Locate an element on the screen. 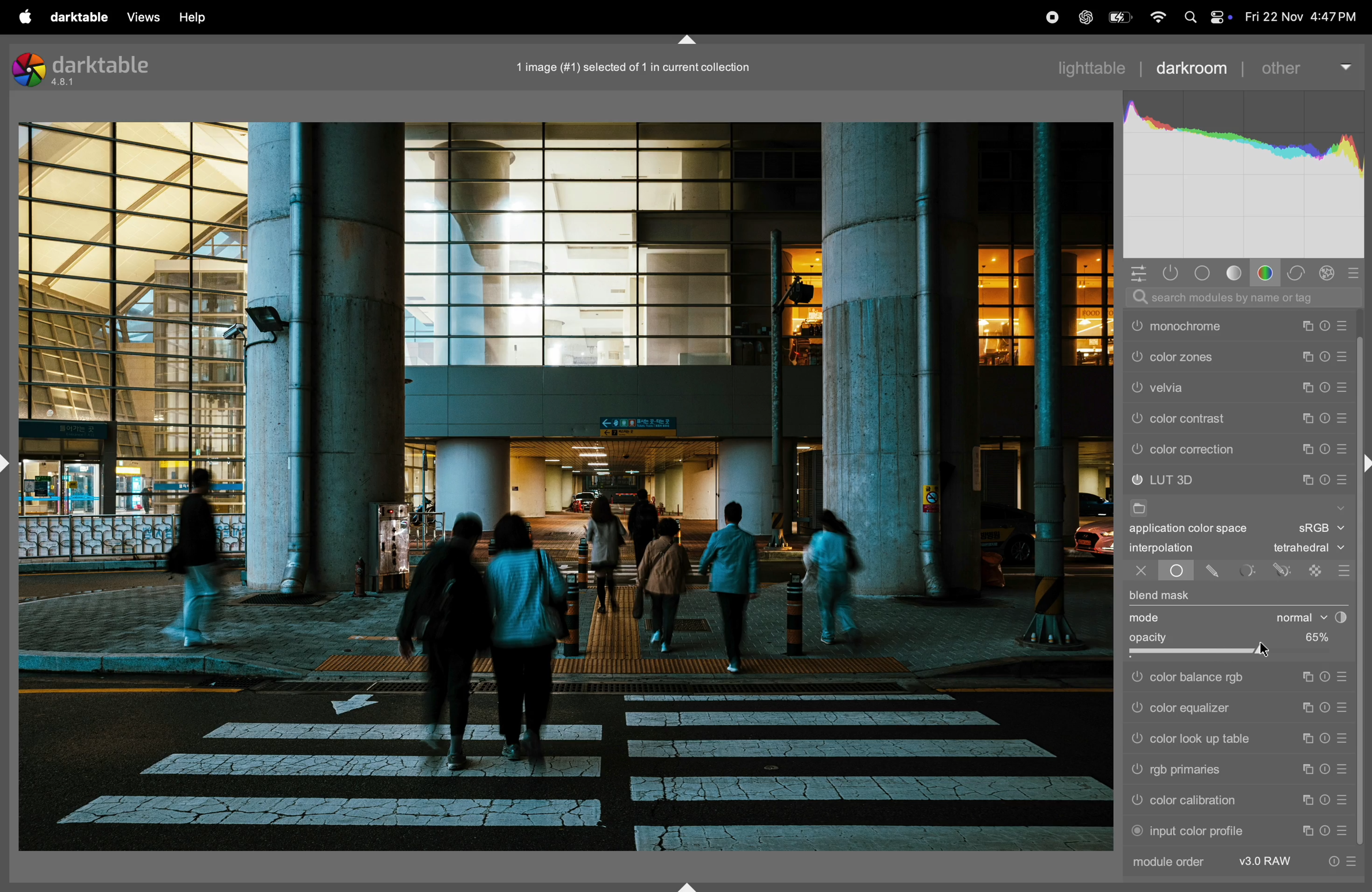 This screenshot has height=892, width=1372. color balance rgb is located at coordinates (1211, 678).